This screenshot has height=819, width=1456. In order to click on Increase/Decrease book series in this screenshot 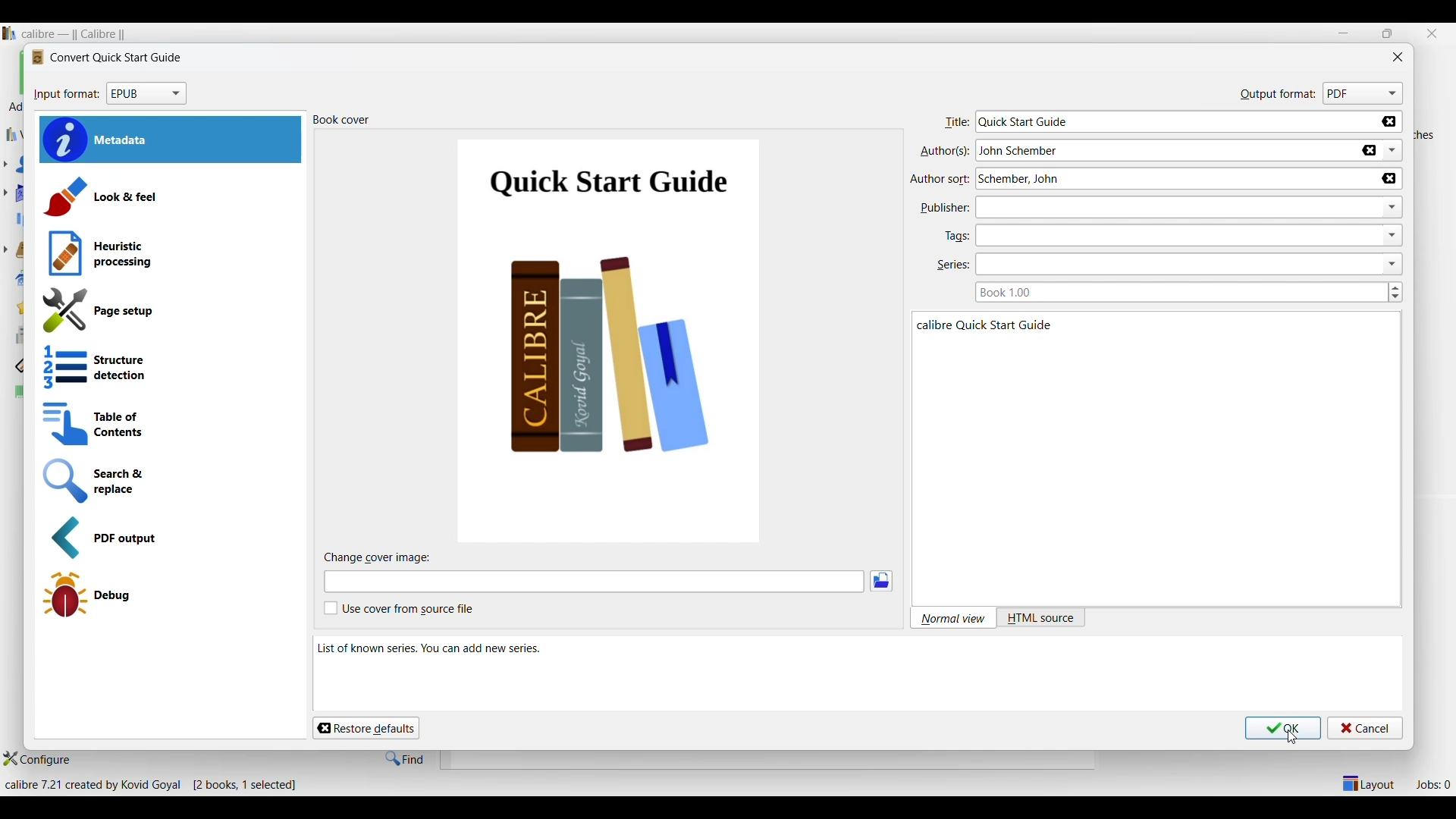, I will do `click(1395, 292)`.